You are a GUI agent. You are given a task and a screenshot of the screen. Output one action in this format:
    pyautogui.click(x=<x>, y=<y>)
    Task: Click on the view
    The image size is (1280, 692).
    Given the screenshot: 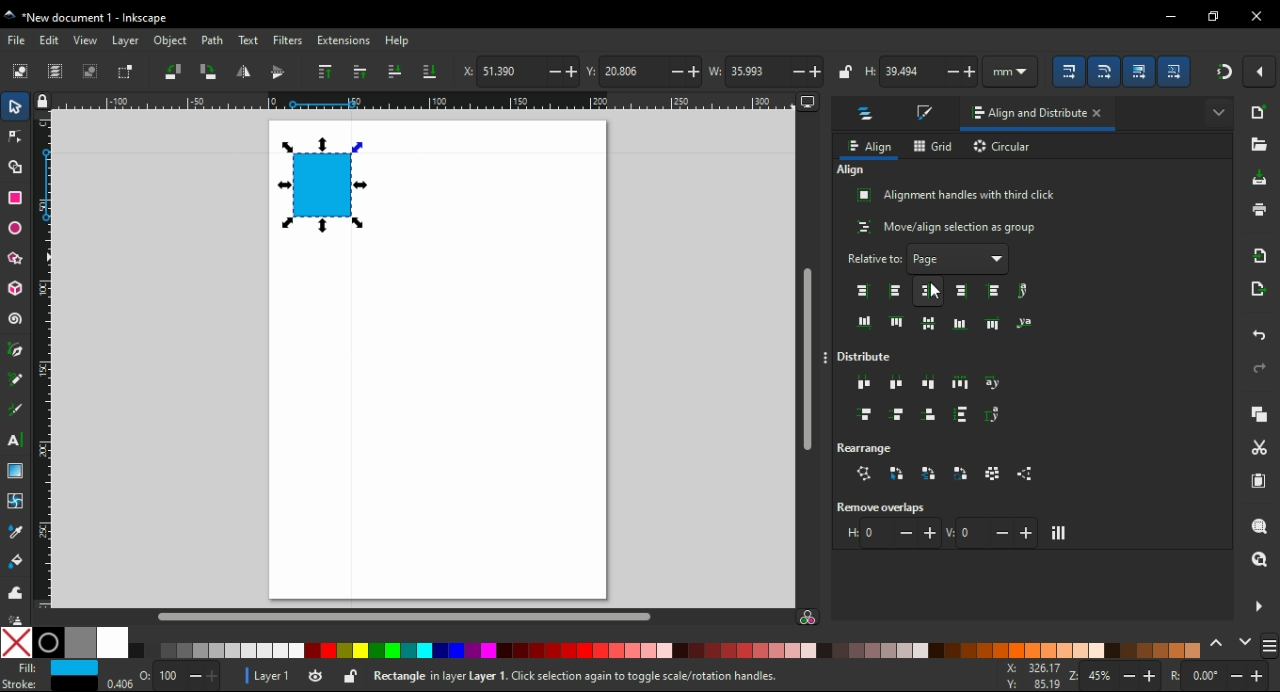 What is the action you would take?
    pyautogui.click(x=86, y=40)
    